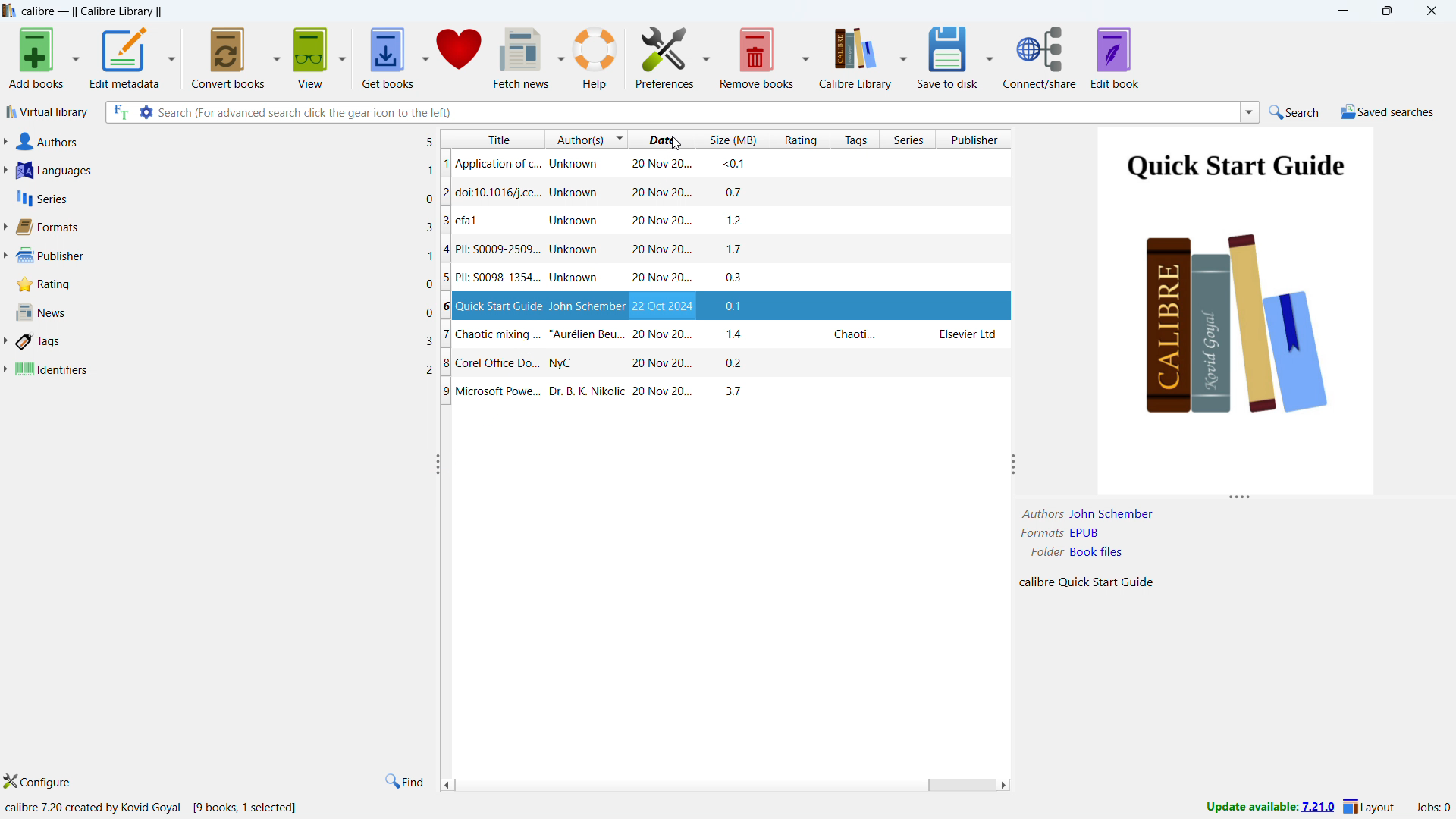  What do you see at coordinates (458, 55) in the screenshot?
I see `donate to calibre` at bounding box center [458, 55].